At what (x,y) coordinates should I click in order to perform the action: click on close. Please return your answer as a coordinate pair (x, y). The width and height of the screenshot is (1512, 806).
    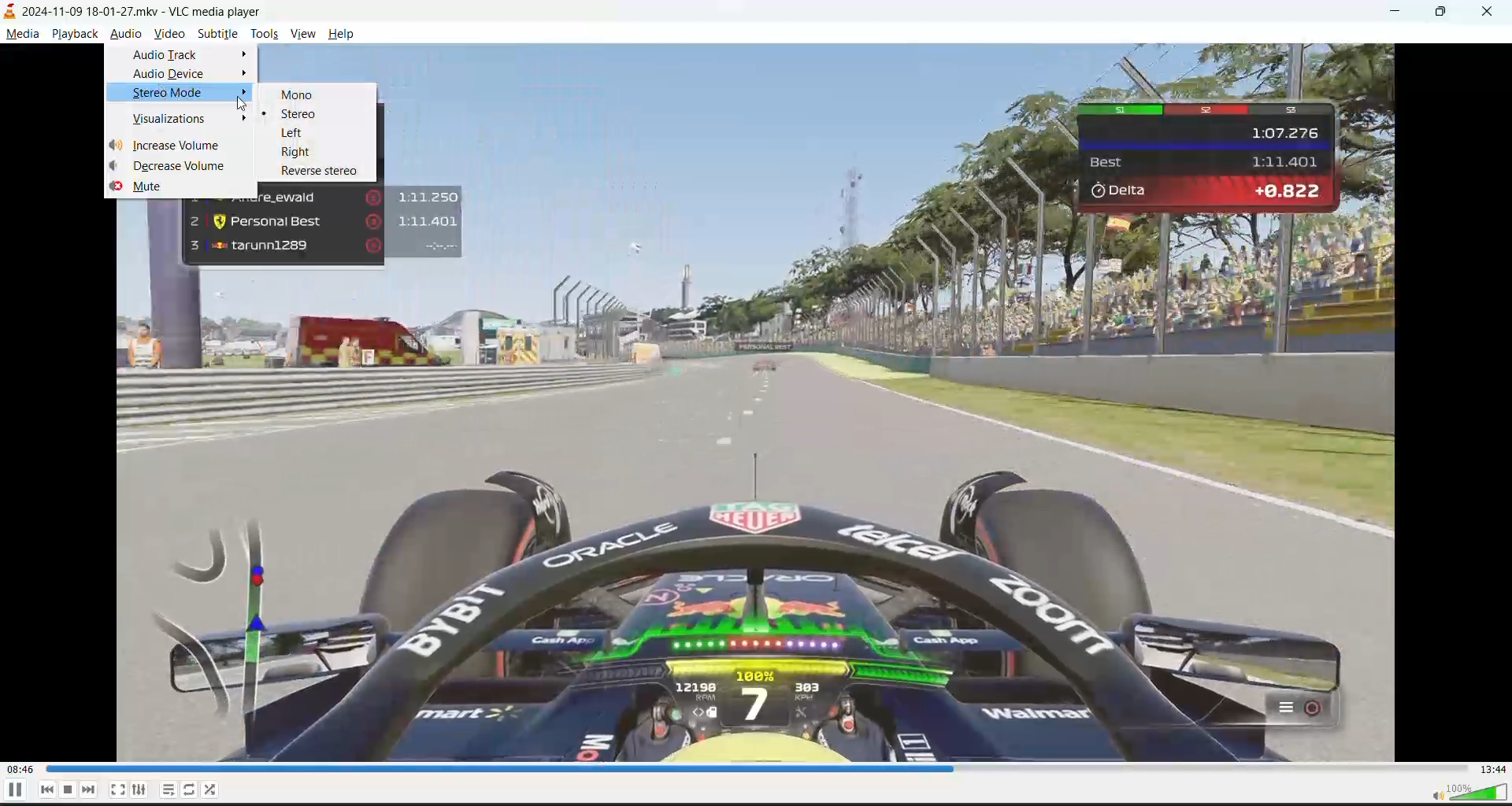
    Looking at the image, I should click on (1494, 10).